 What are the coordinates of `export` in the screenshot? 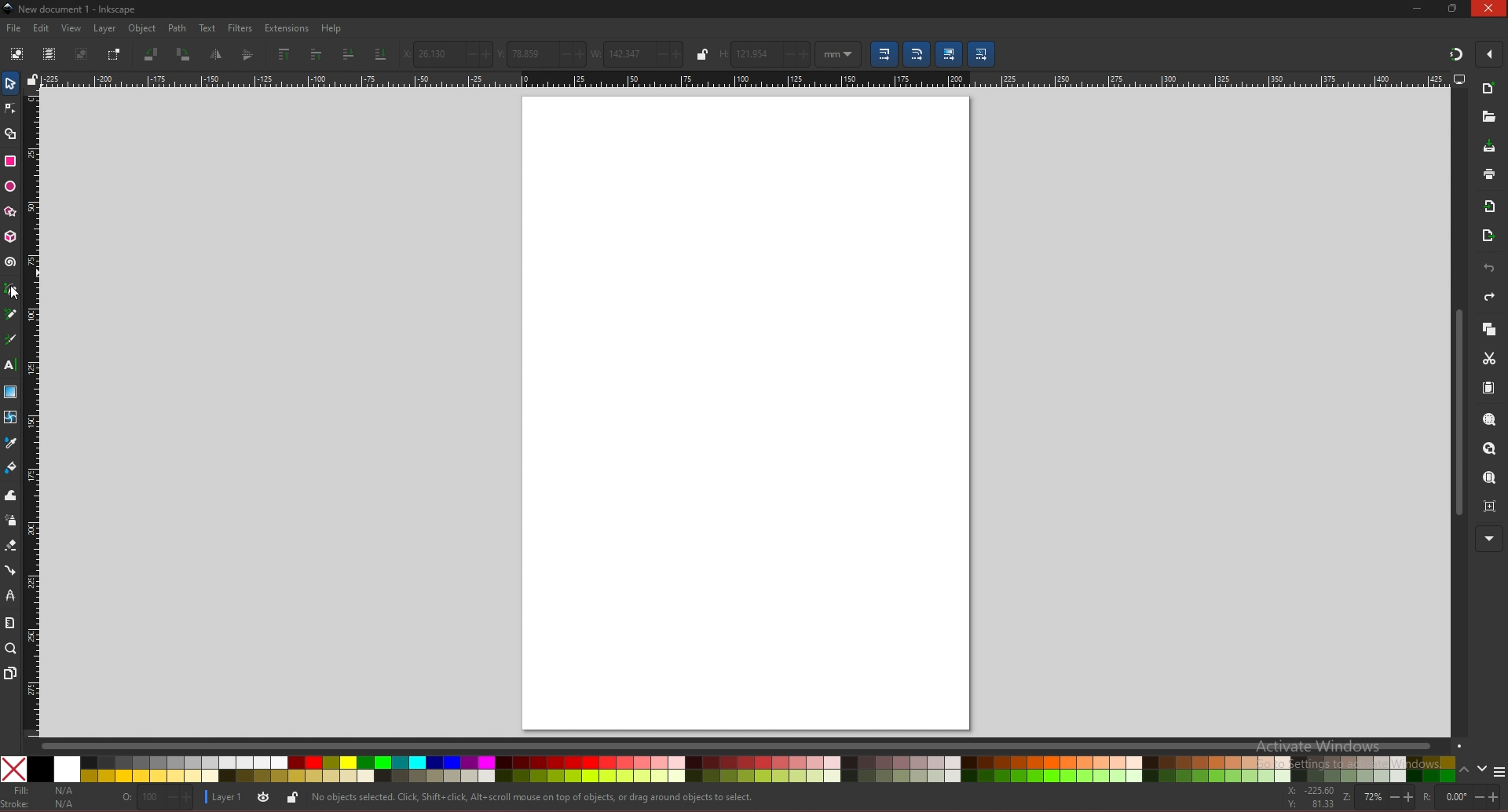 It's located at (1488, 236).